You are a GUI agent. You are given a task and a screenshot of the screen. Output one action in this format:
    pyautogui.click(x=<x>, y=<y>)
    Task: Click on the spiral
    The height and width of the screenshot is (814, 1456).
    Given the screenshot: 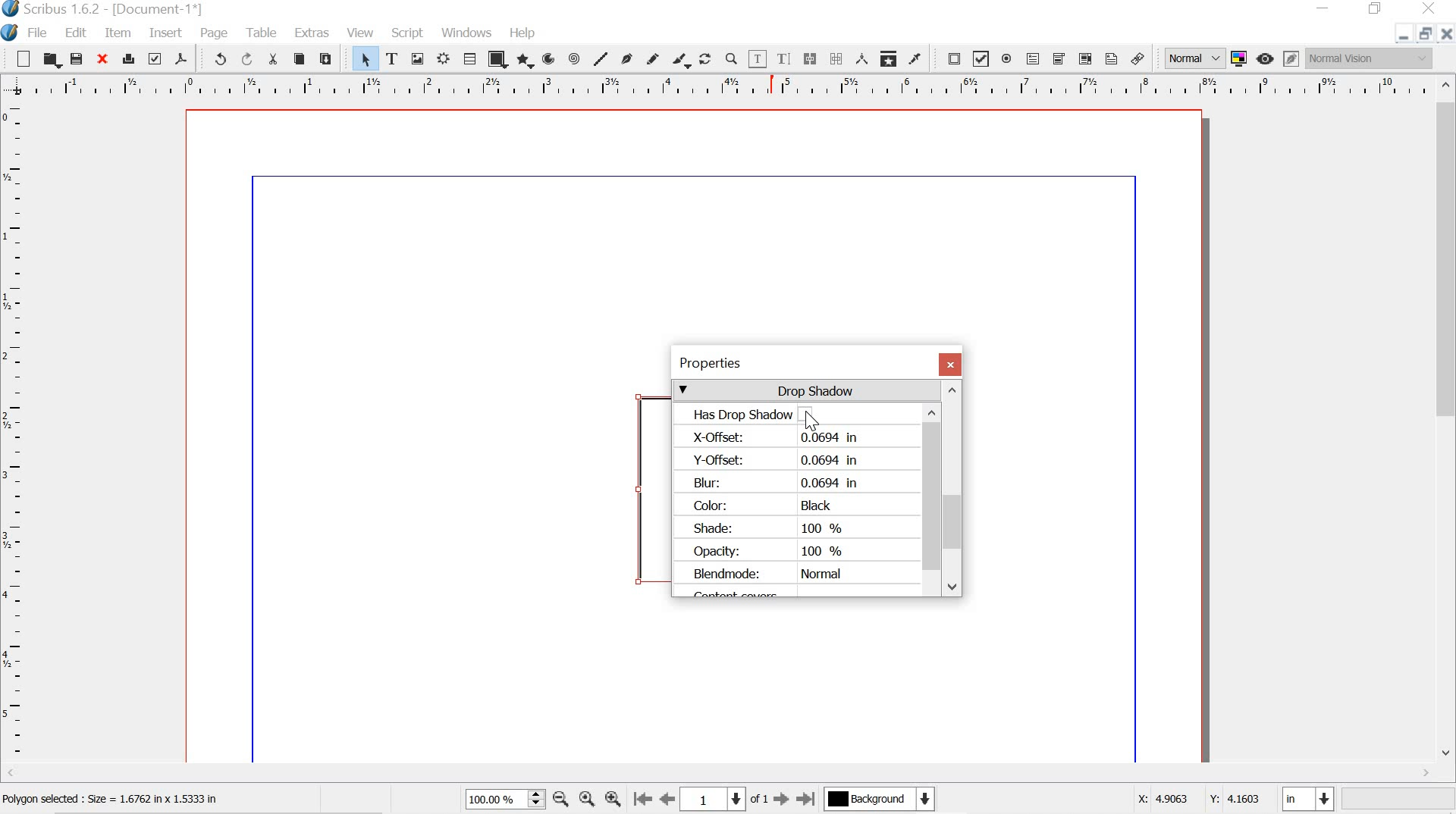 What is the action you would take?
    pyautogui.click(x=575, y=58)
    